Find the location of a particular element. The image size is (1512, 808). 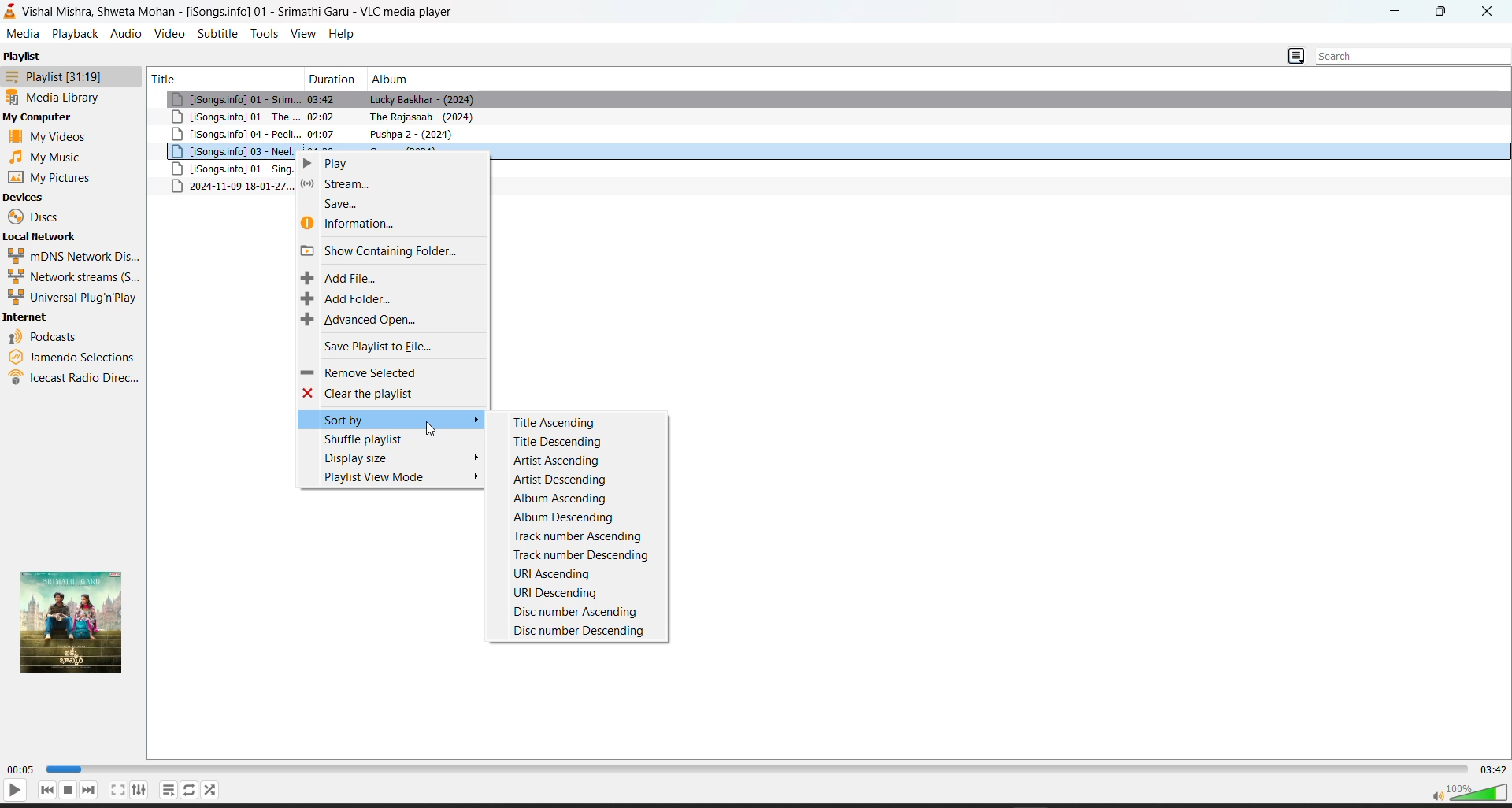

uri descending is located at coordinates (573, 592).